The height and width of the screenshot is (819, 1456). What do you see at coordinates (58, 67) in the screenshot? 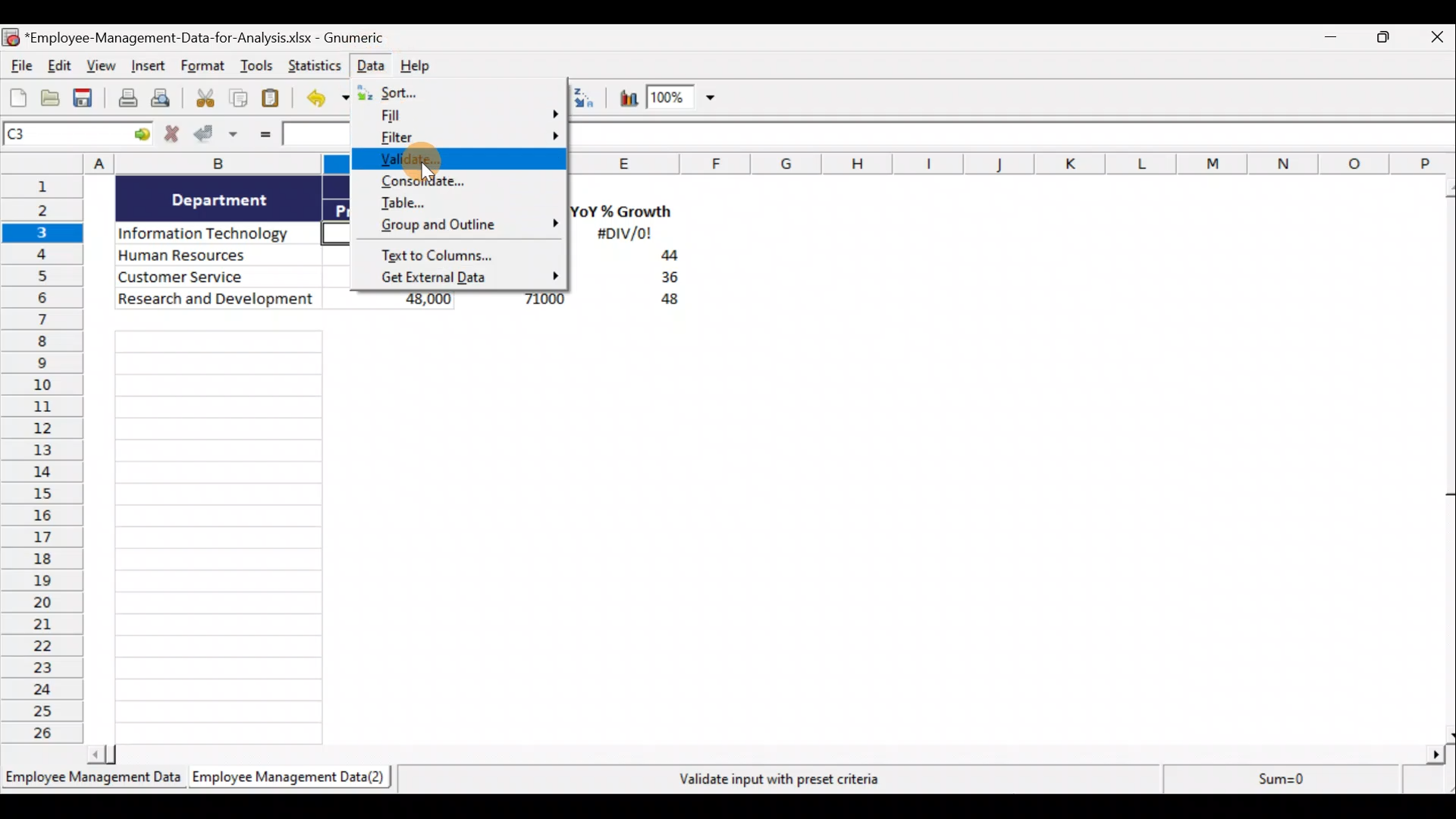
I see `Edit` at bounding box center [58, 67].